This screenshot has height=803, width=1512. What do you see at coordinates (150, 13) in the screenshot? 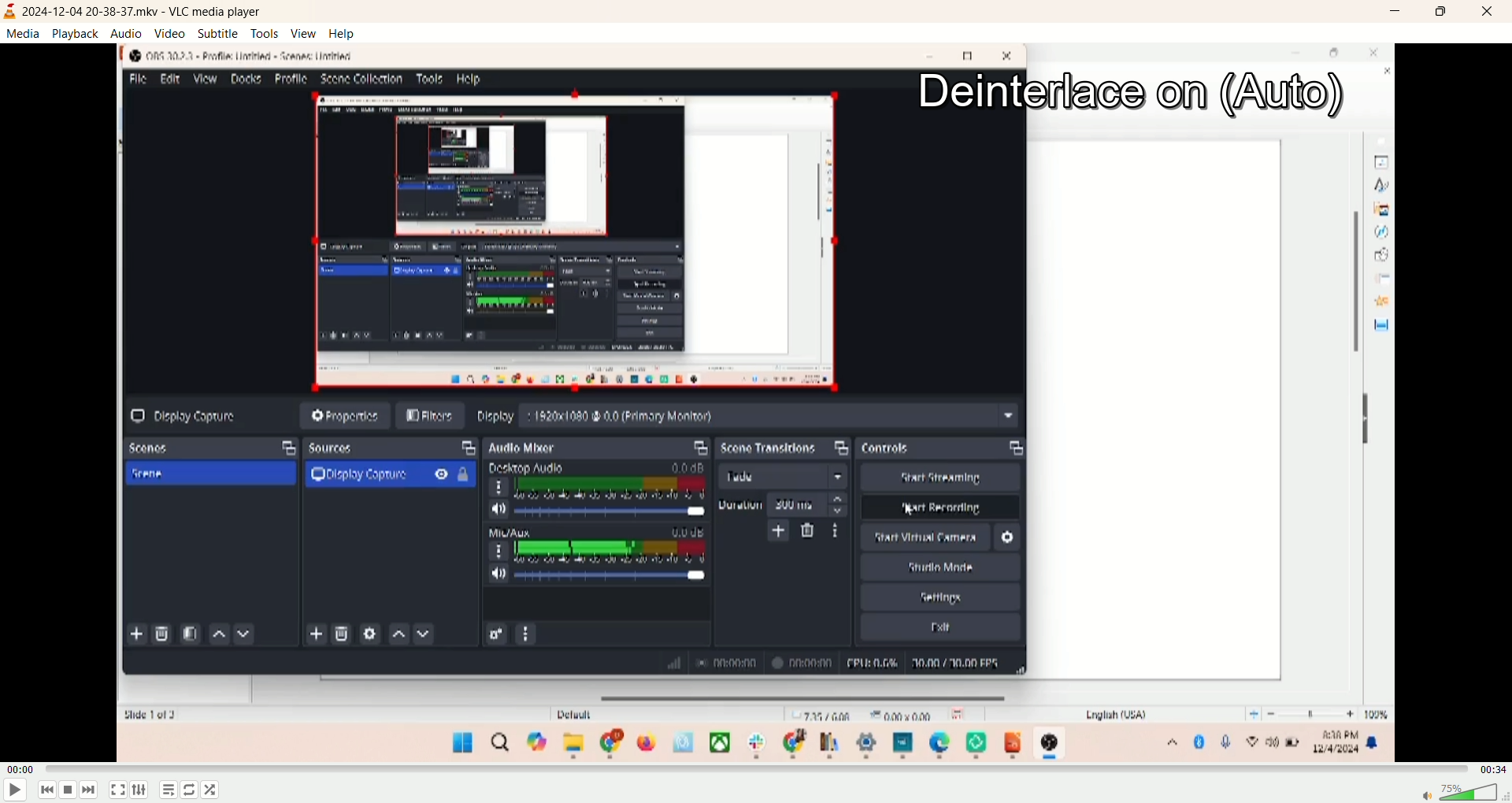
I see `2024-12-04 20-38-37.mkv - VLC media player` at bounding box center [150, 13].